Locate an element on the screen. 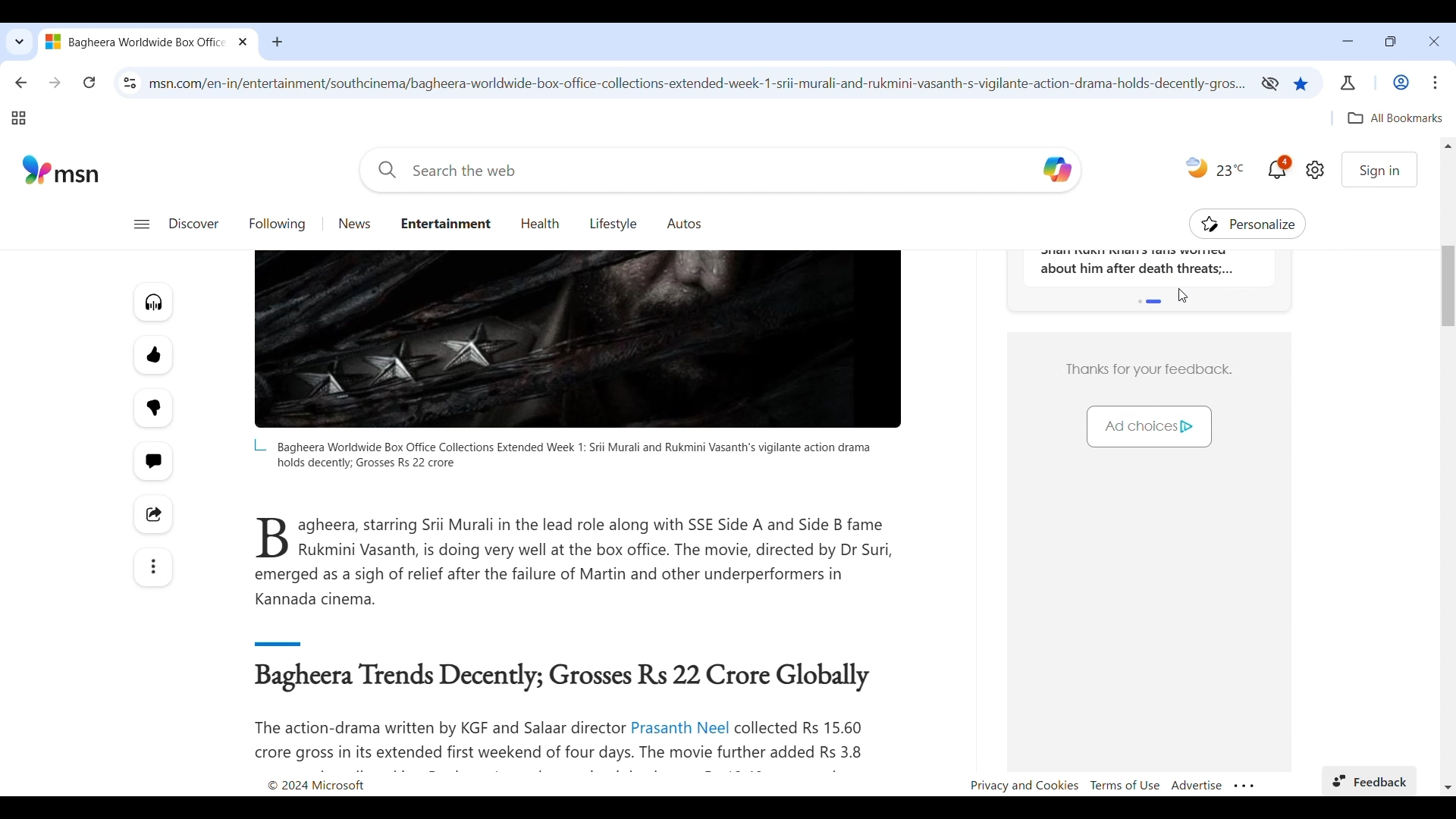 Image resolution: width=1456 pixels, height=819 pixels. Customize and control Chromium is located at coordinates (1436, 82).